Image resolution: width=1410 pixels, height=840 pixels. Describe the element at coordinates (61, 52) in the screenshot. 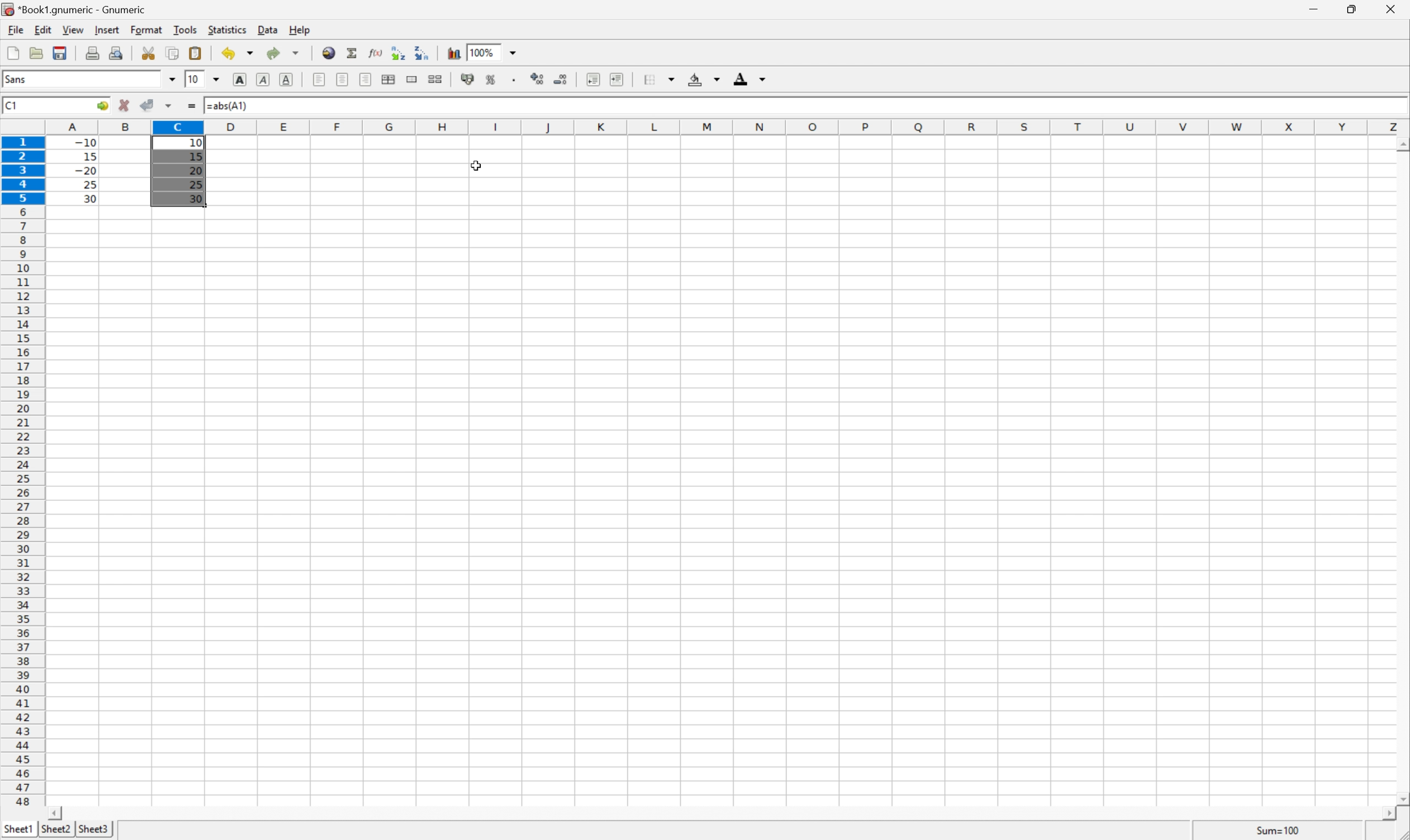

I see `Save the current file` at that location.